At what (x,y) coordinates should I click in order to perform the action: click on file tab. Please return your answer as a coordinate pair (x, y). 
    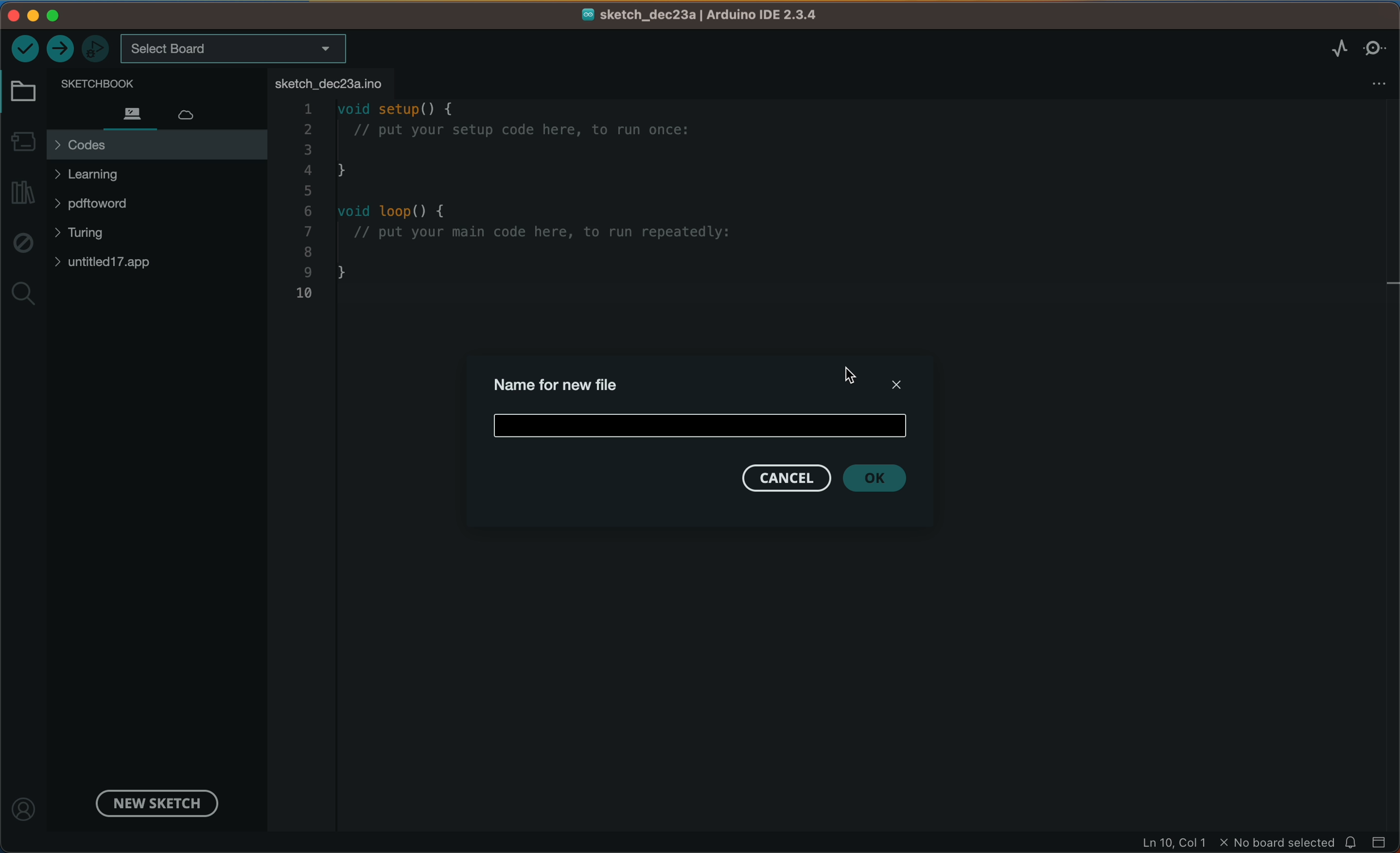
    Looking at the image, I should click on (332, 82).